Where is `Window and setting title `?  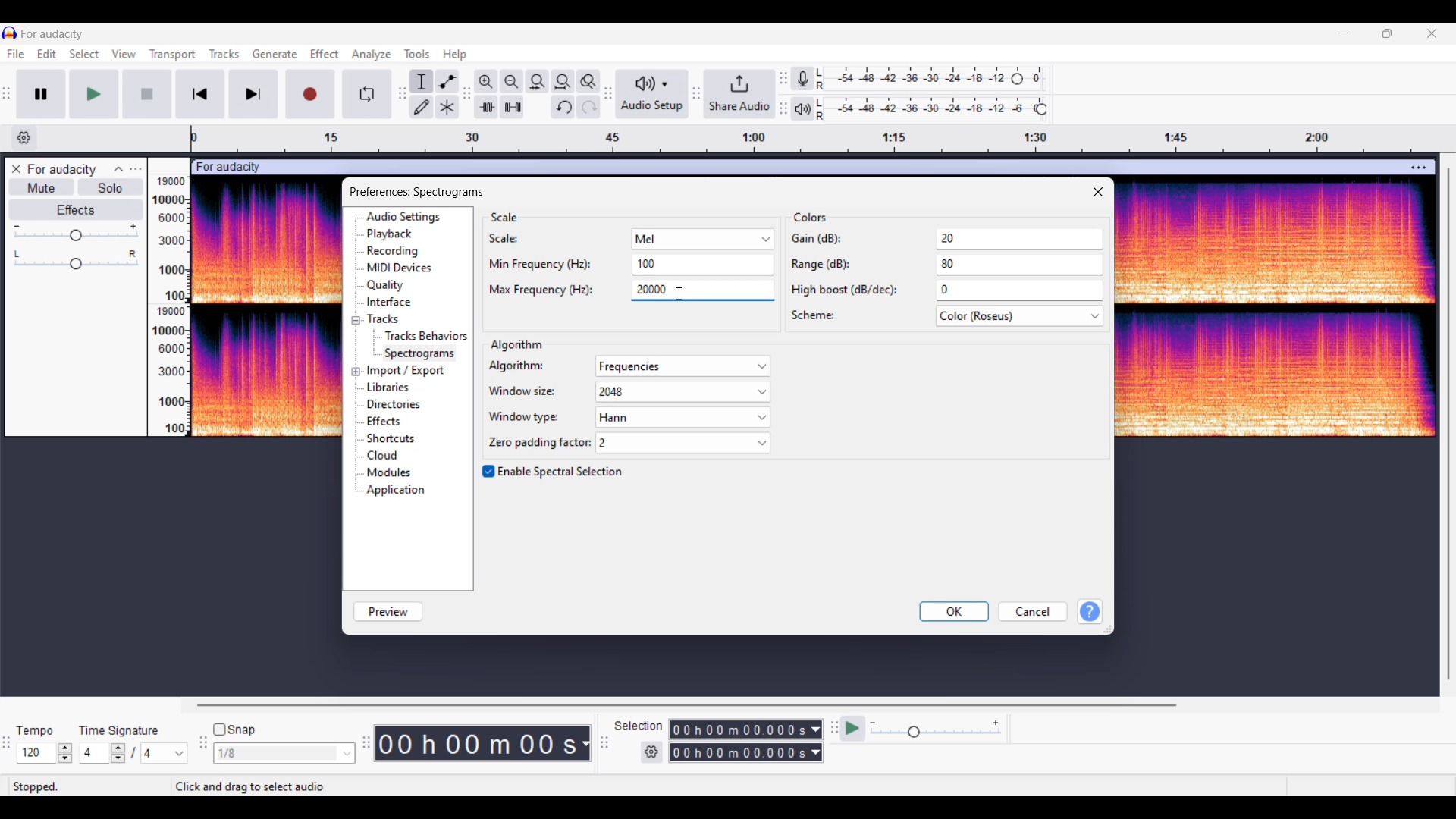 Window and setting title  is located at coordinates (416, 190).